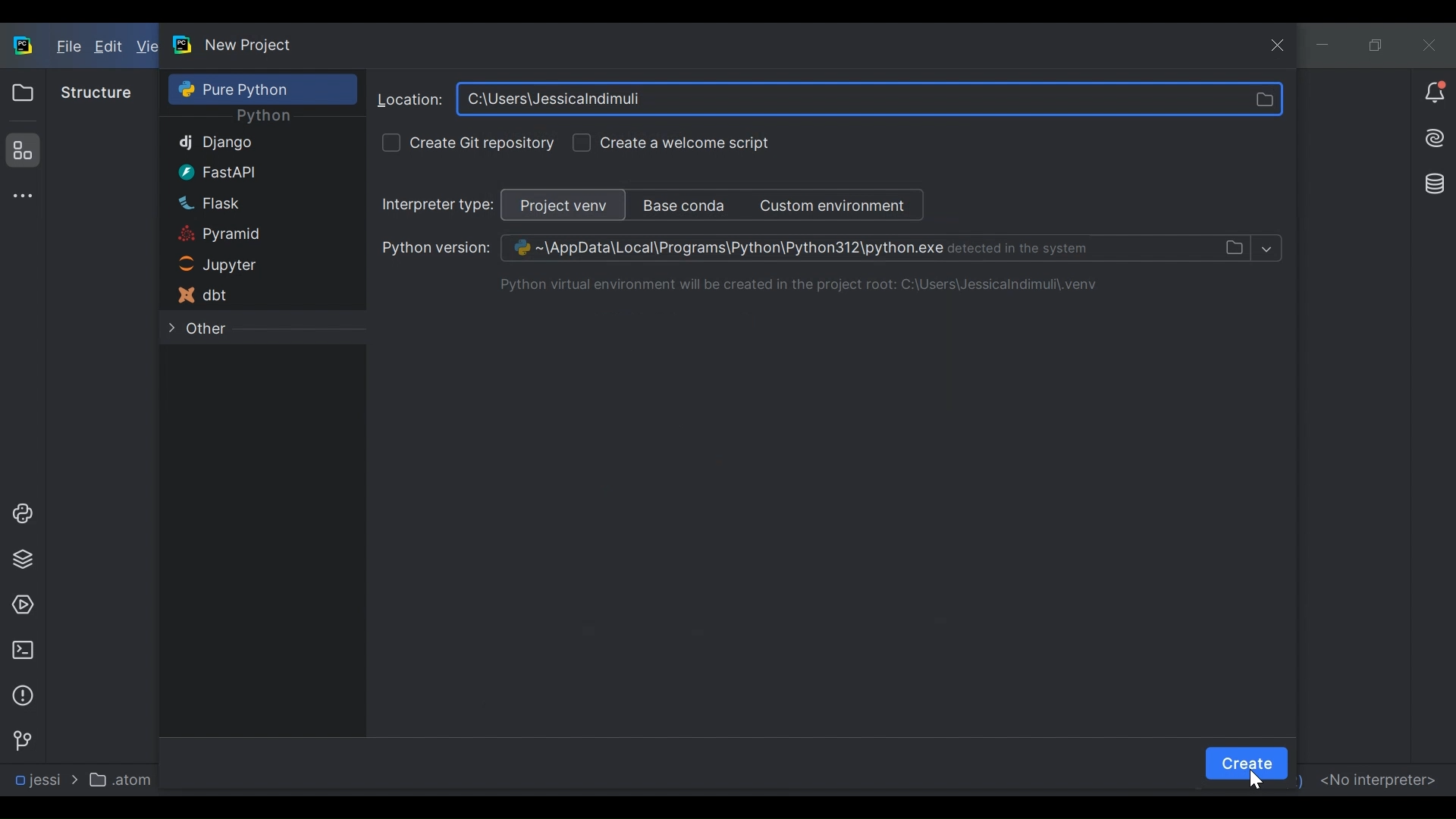  What do you see at coordinates (240, 295) in the screenshot?
I see `dbt` at bounding box center [240, 295].